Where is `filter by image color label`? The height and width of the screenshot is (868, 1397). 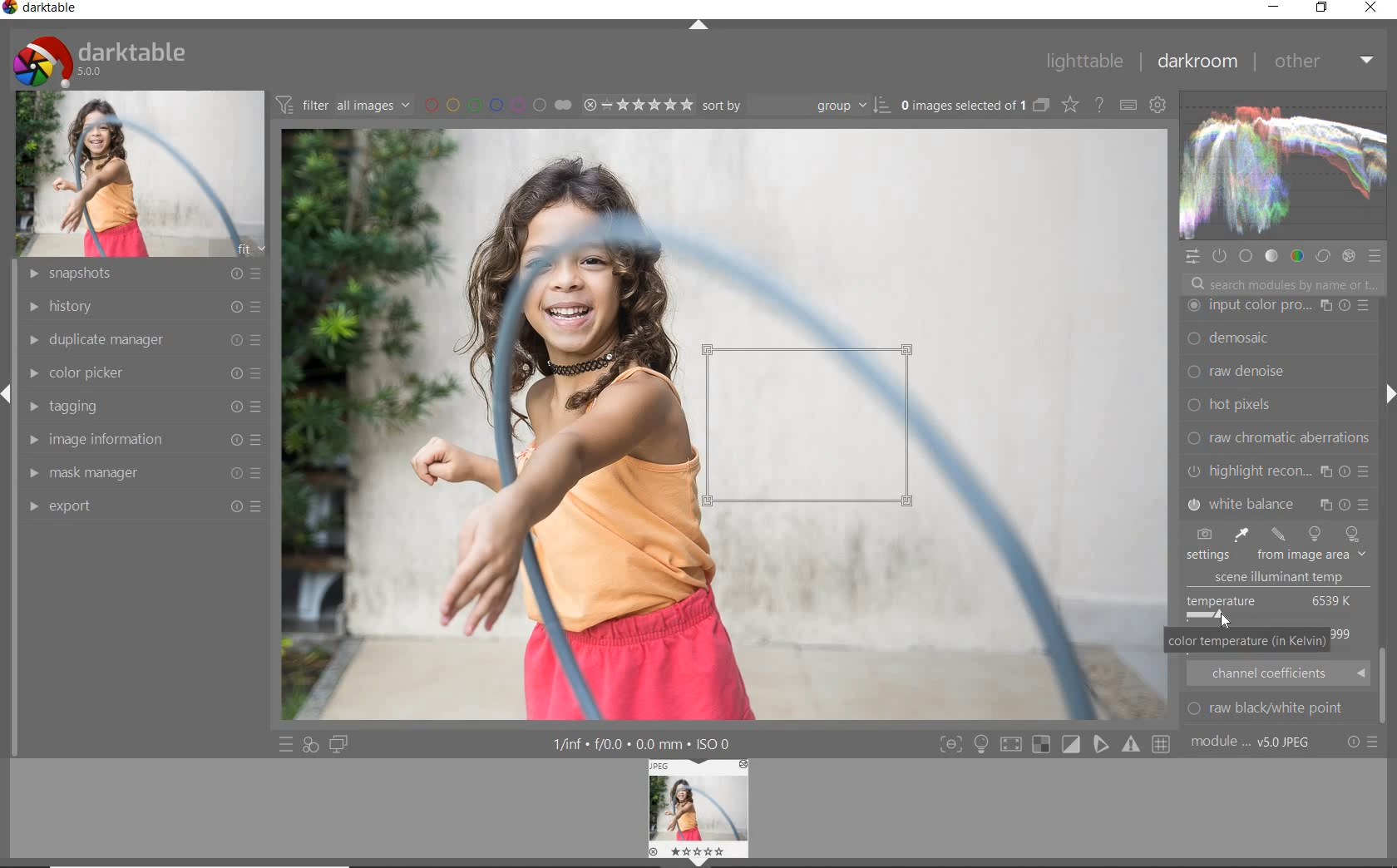 filter by image color label is located at coordinates (496, 104).